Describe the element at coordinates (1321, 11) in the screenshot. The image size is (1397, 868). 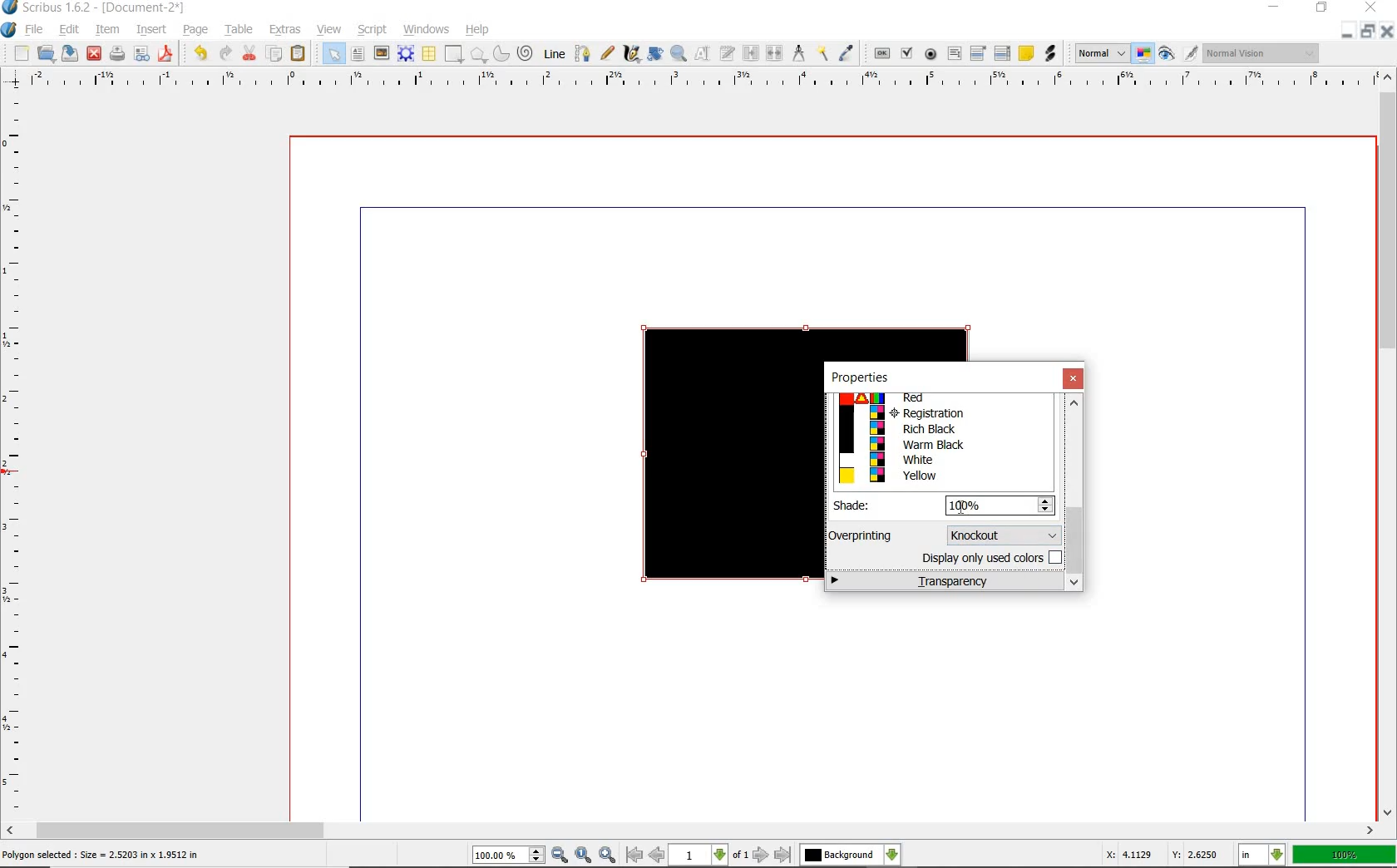
I see `RESTORE` at that location.